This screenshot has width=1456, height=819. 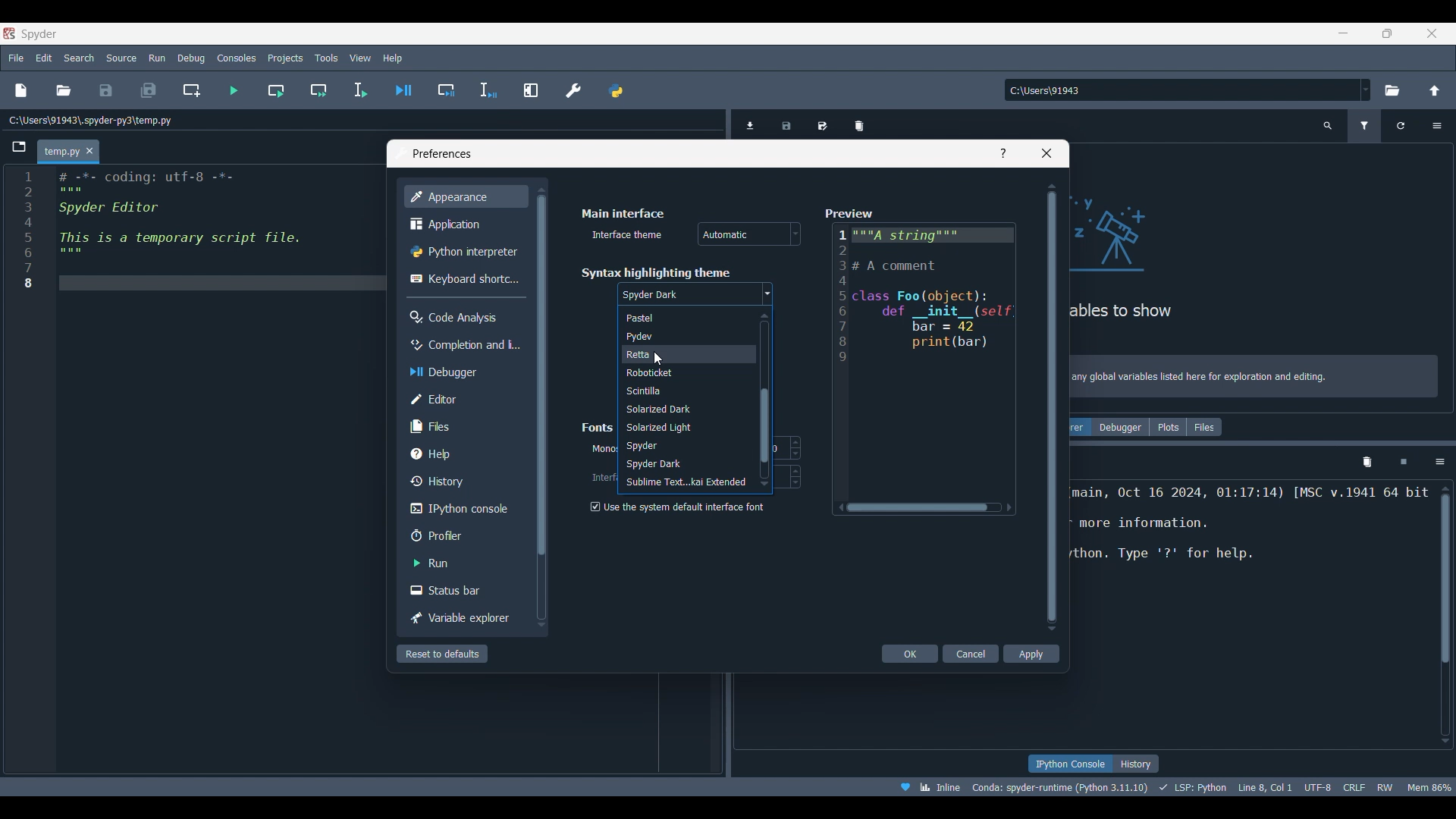 What do you see at coordinates (465, 196) in the screenshot?
I see `Appearance, current selection highlighted` at bounding box center [465, 196].